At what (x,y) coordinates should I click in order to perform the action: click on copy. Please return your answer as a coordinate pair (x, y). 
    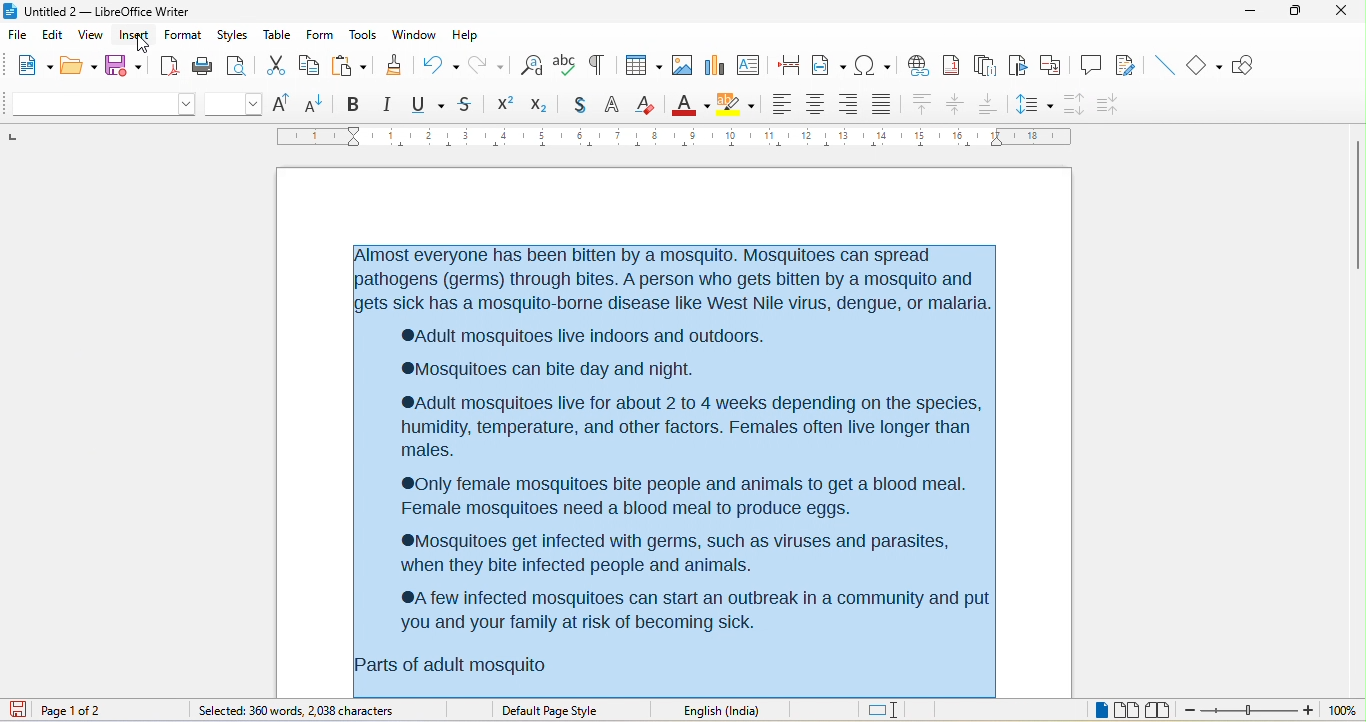
    Looking at the image, I should click on (308, 67).